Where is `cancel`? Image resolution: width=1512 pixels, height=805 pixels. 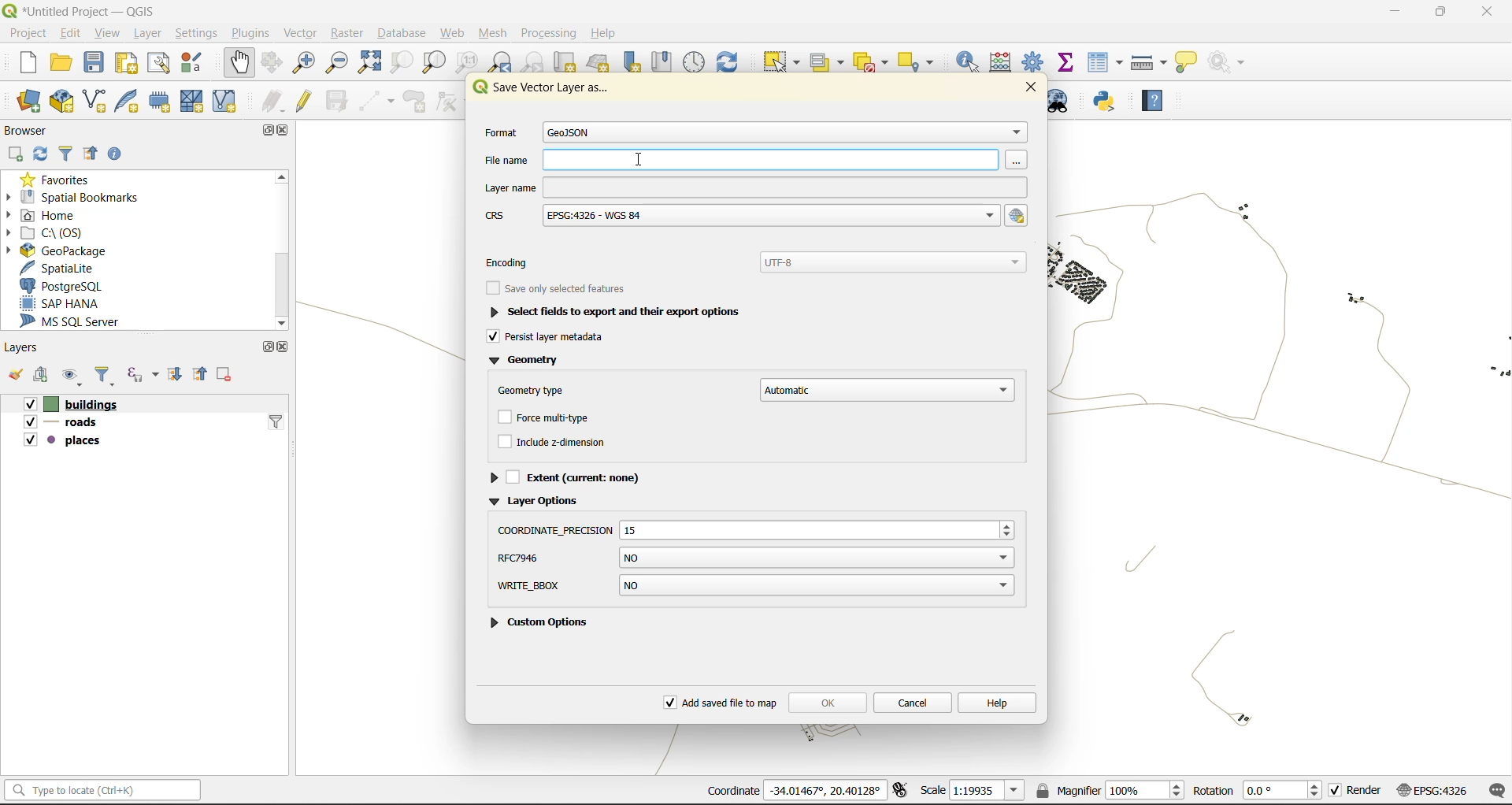
cancel is located at coordinates (912, 701).